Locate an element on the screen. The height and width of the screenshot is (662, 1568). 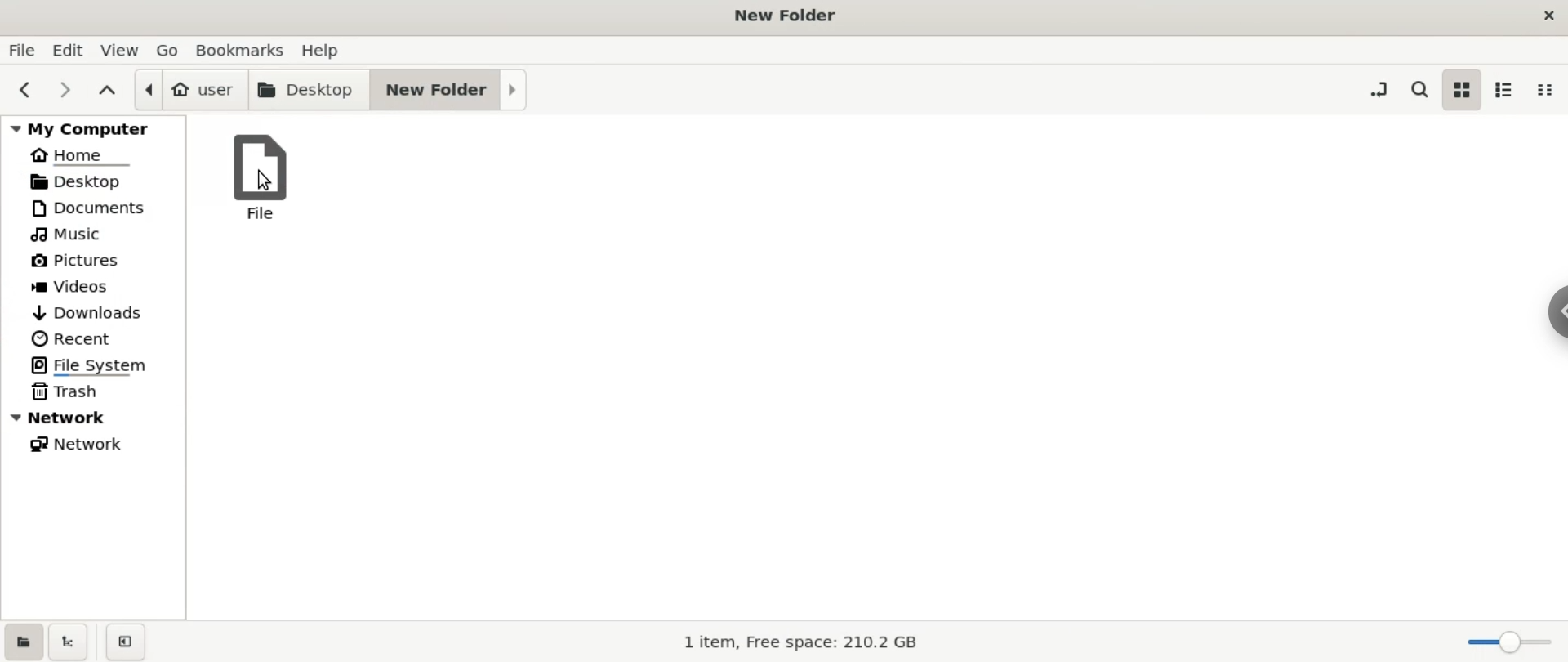
view is located at coordinates (121, 51).